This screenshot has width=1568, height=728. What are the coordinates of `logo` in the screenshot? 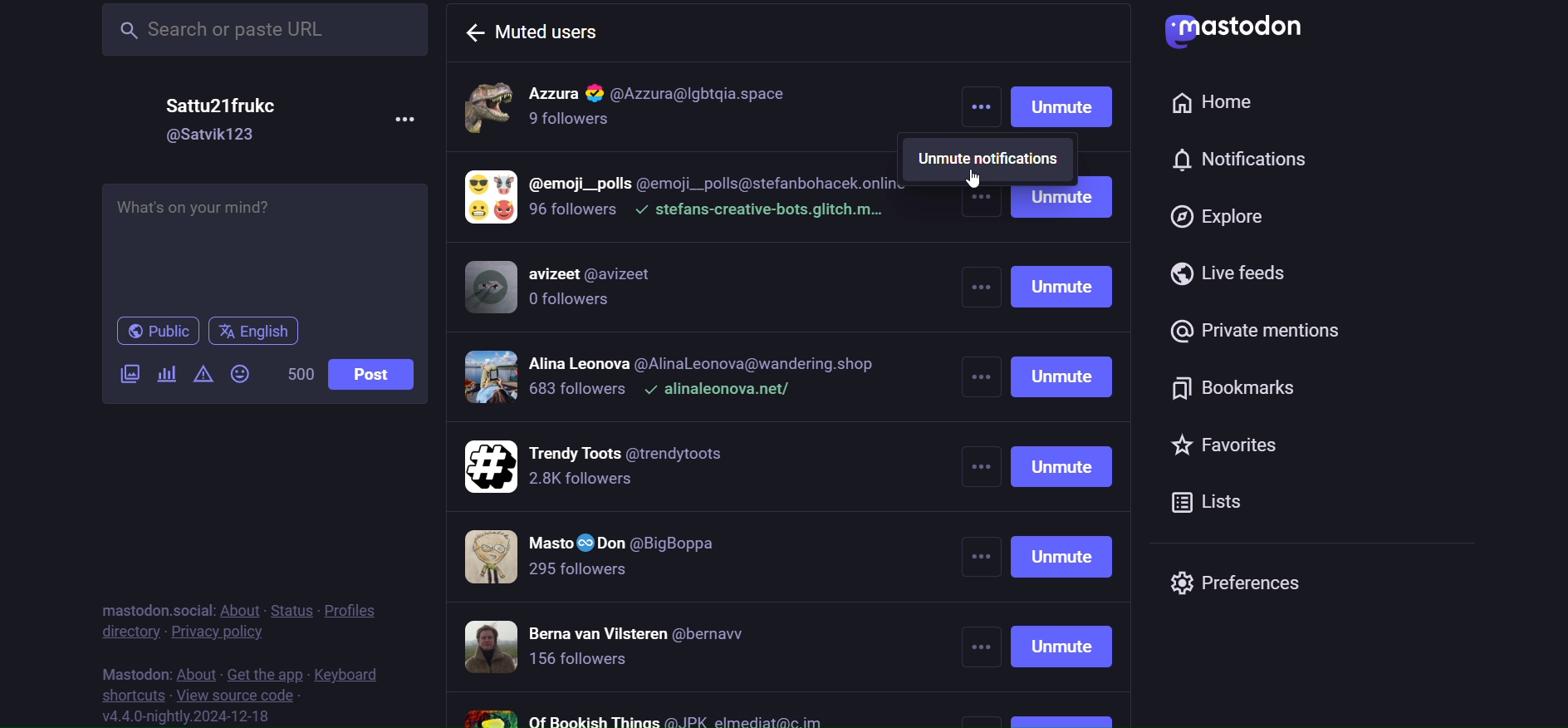 It's located at (1248, 32).